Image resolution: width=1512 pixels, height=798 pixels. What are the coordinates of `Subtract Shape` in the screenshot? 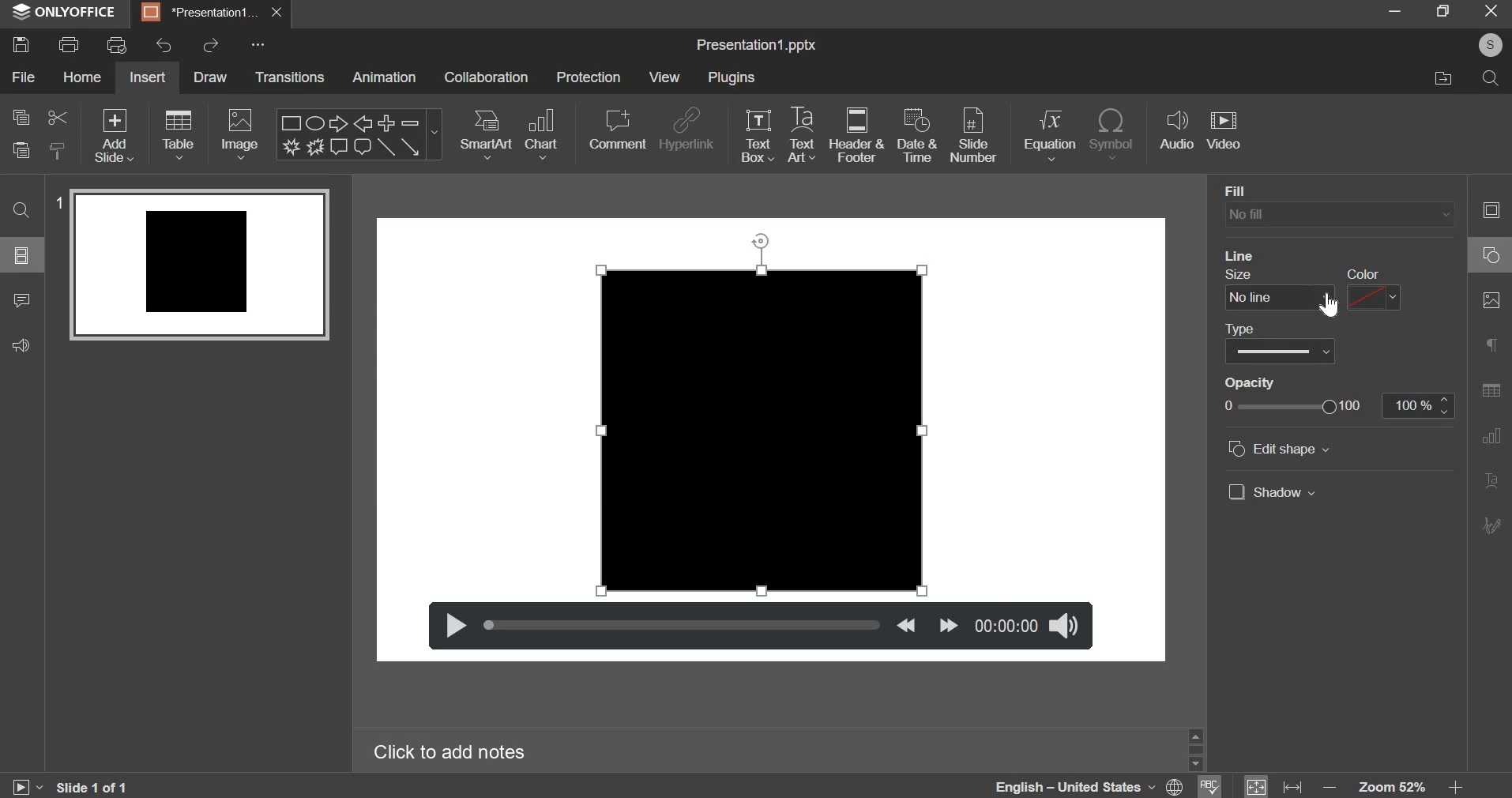 It's located at (410, 124).